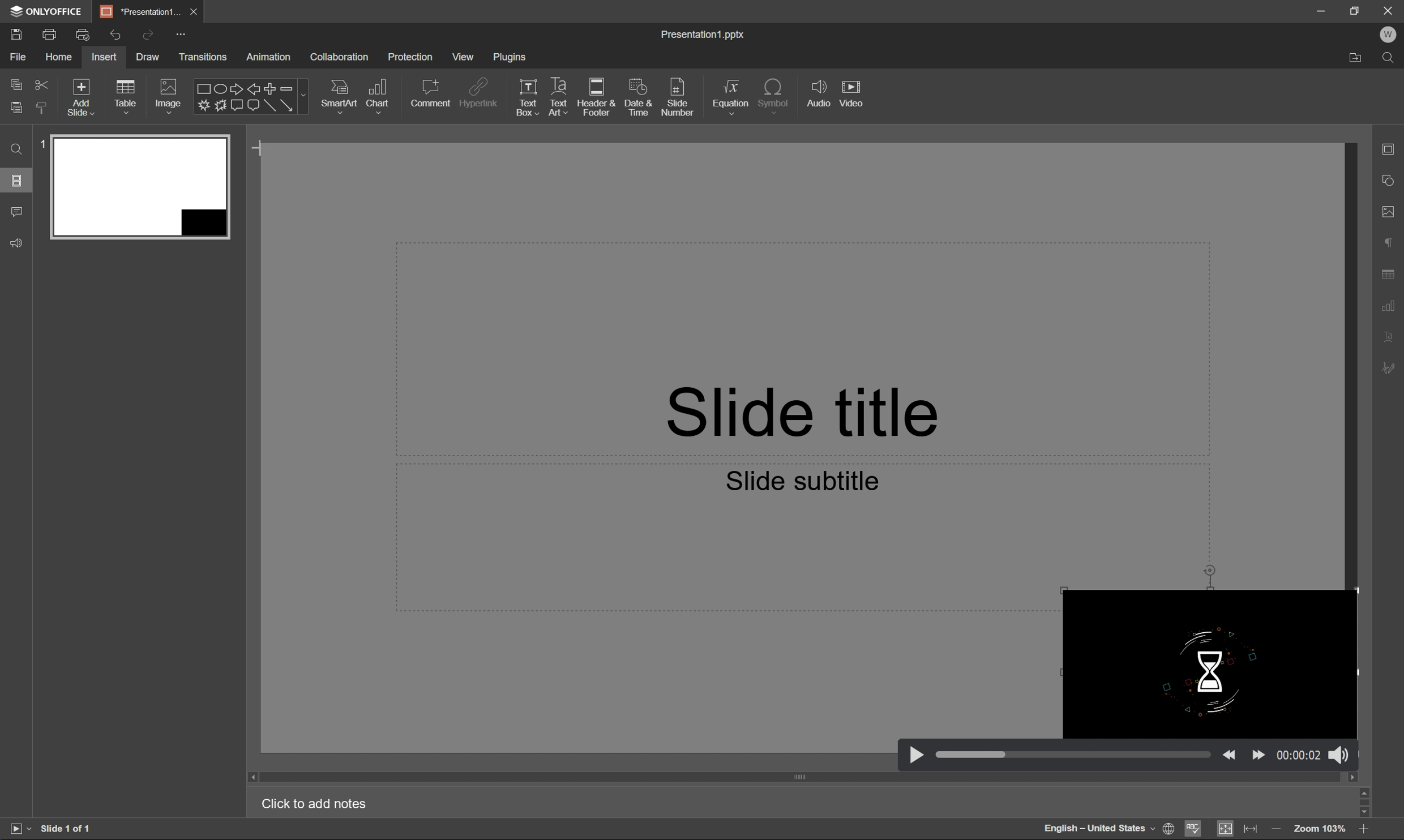 The image size is (1404, 840). What do you see at coordinates (1338, 753) in the screenshot?
I see `sound` at bounding box center [1338, 753].